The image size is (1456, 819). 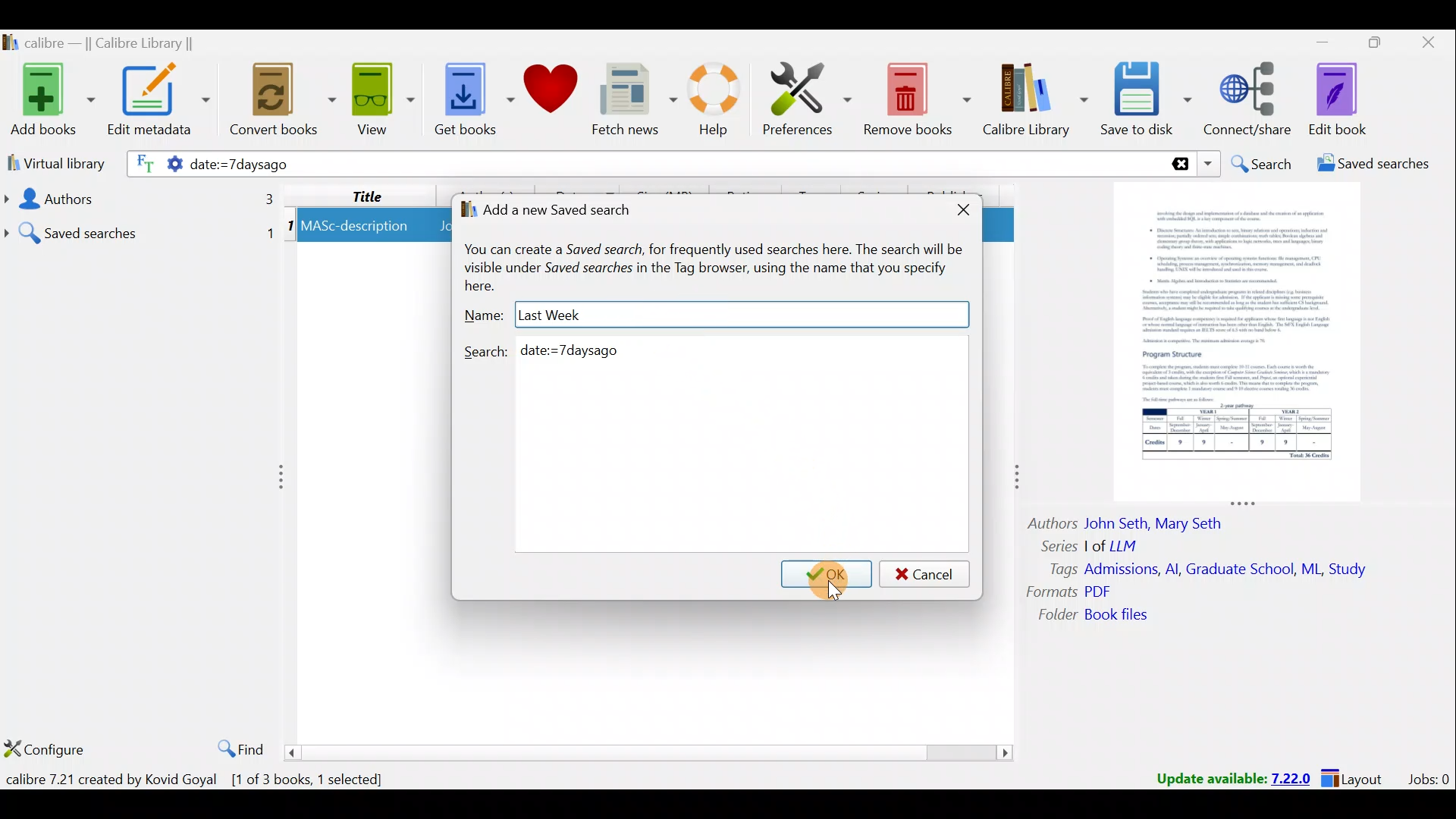 What do you see at coordinates (1137, 521) in the screenshot?
I see `Authors John Seth, Mary Seth` at bounding box center [1137, 521].